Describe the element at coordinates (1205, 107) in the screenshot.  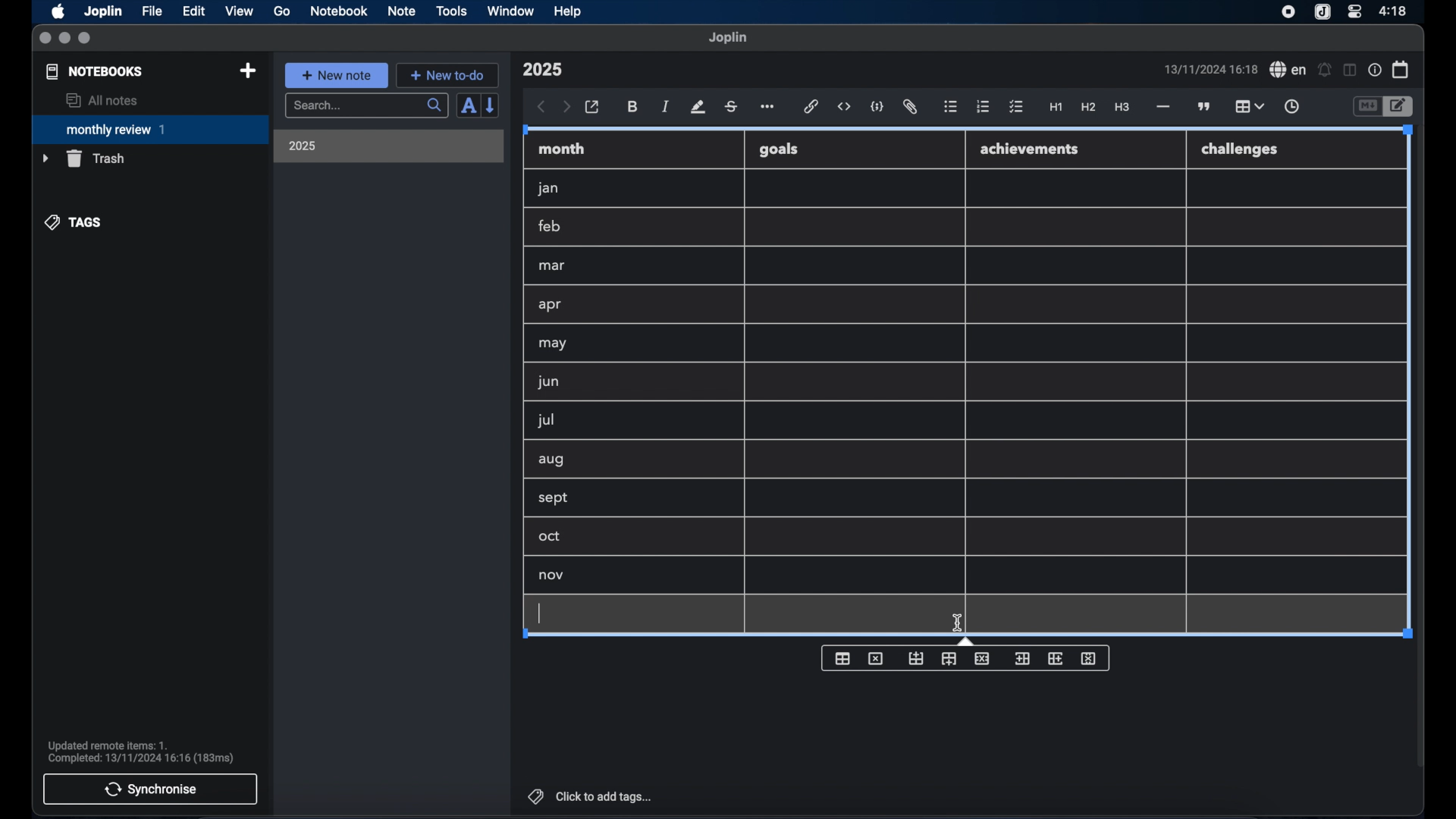
I see `block quotes` at that location.